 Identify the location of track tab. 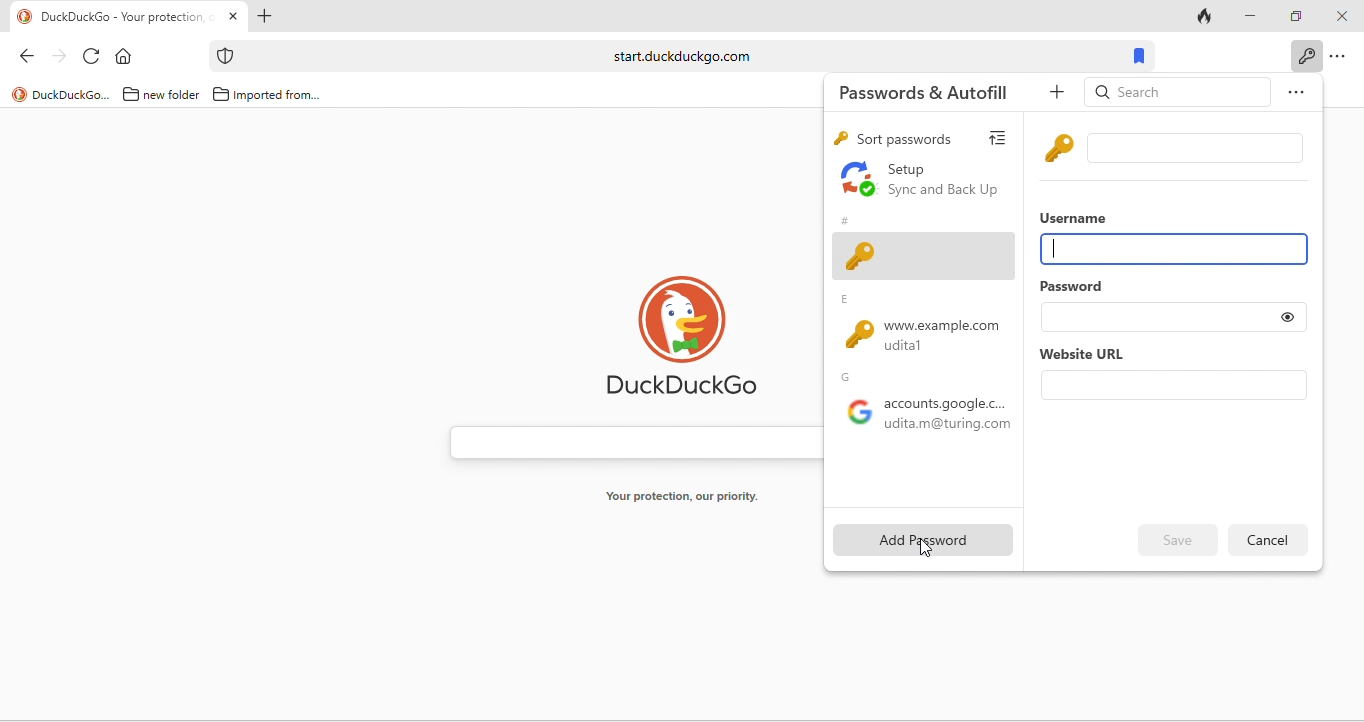
(1206, 15).